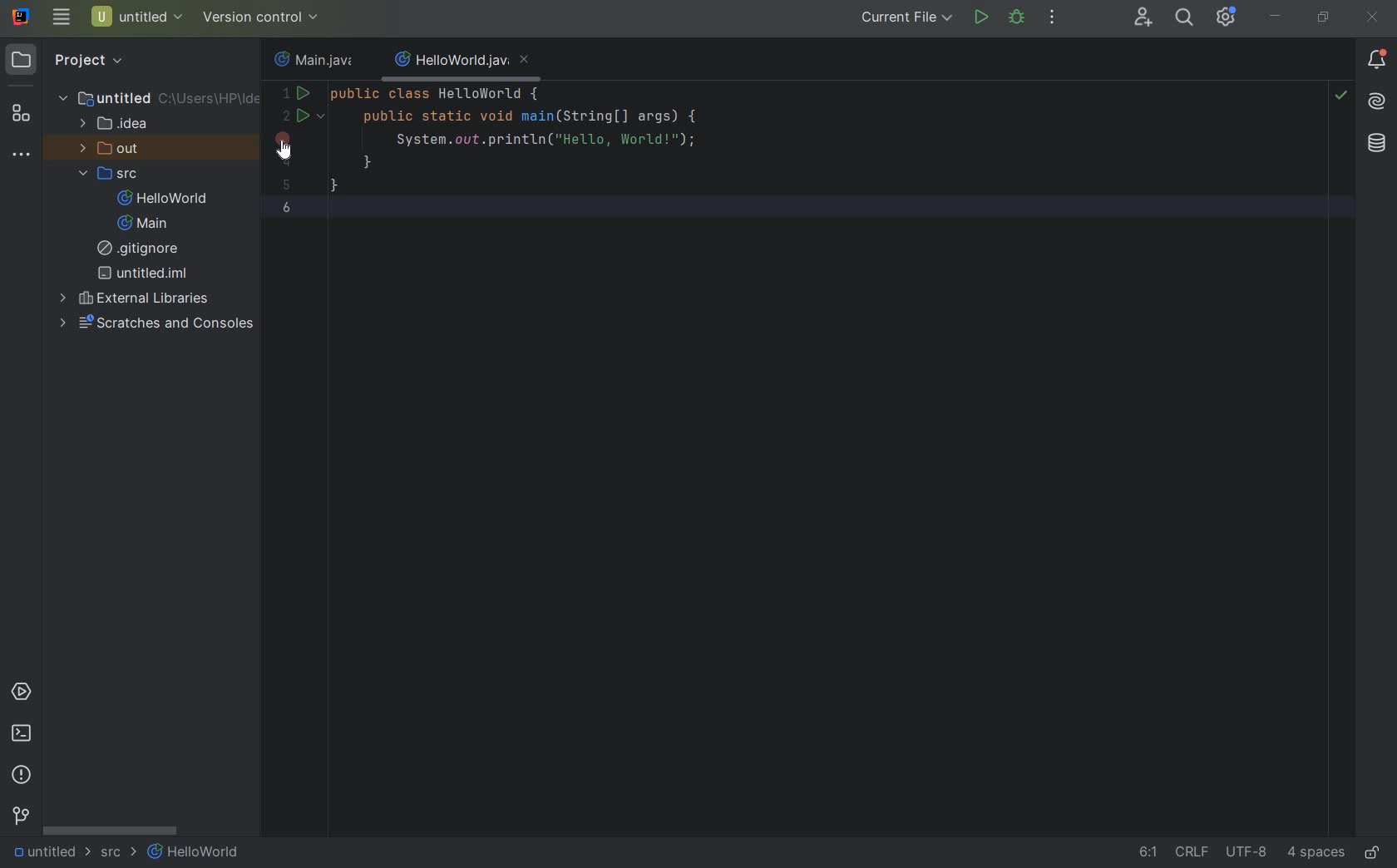 This screenshot has height=868, width=1397. Describe the element at coordinates (1191, 854) in the screenshot. I see `line separator` at that location.